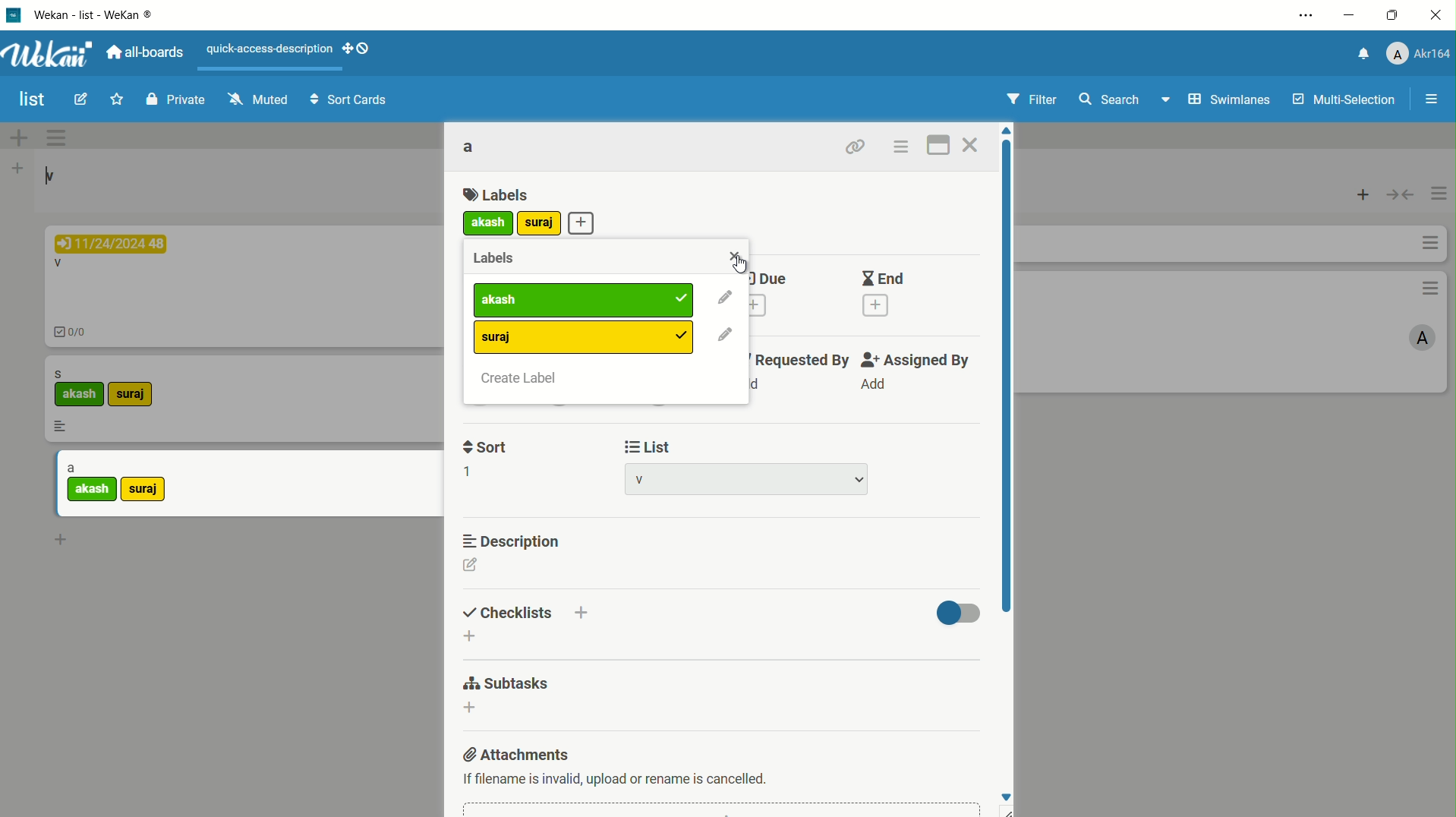 The width and height of the screenshot is (1456, 817). Describe the element at coordinates (1432, 99) in the screenshot. I see `open/close sidebar` at that location.